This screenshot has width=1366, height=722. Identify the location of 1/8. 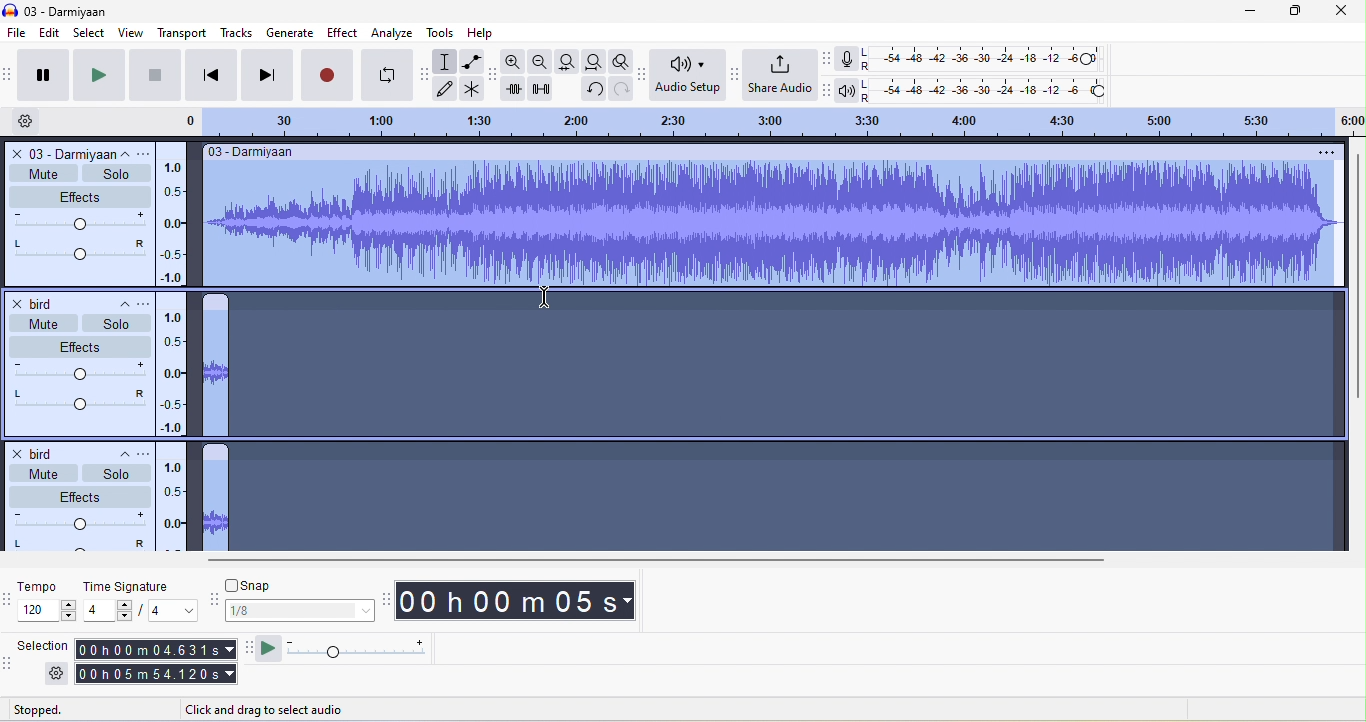
(299, 613).